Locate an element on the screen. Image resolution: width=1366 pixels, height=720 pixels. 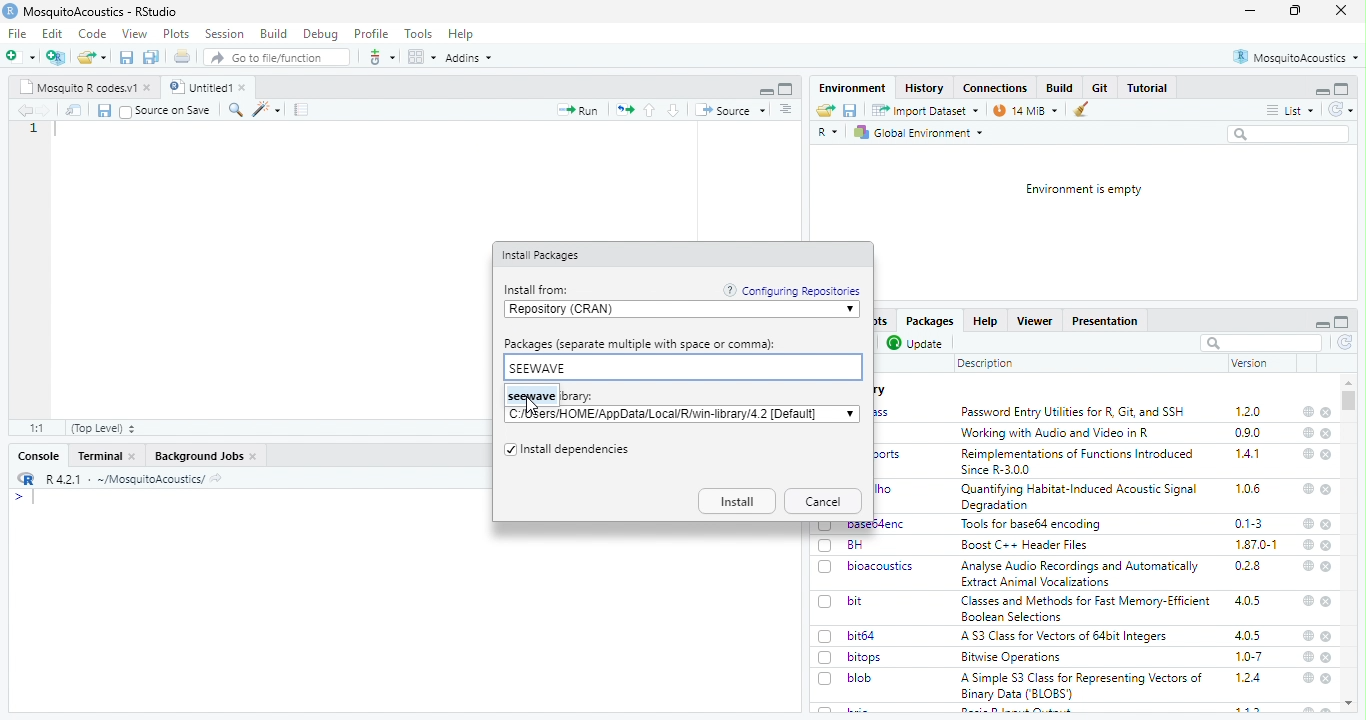
Connections is located at coordinates (997, 88).